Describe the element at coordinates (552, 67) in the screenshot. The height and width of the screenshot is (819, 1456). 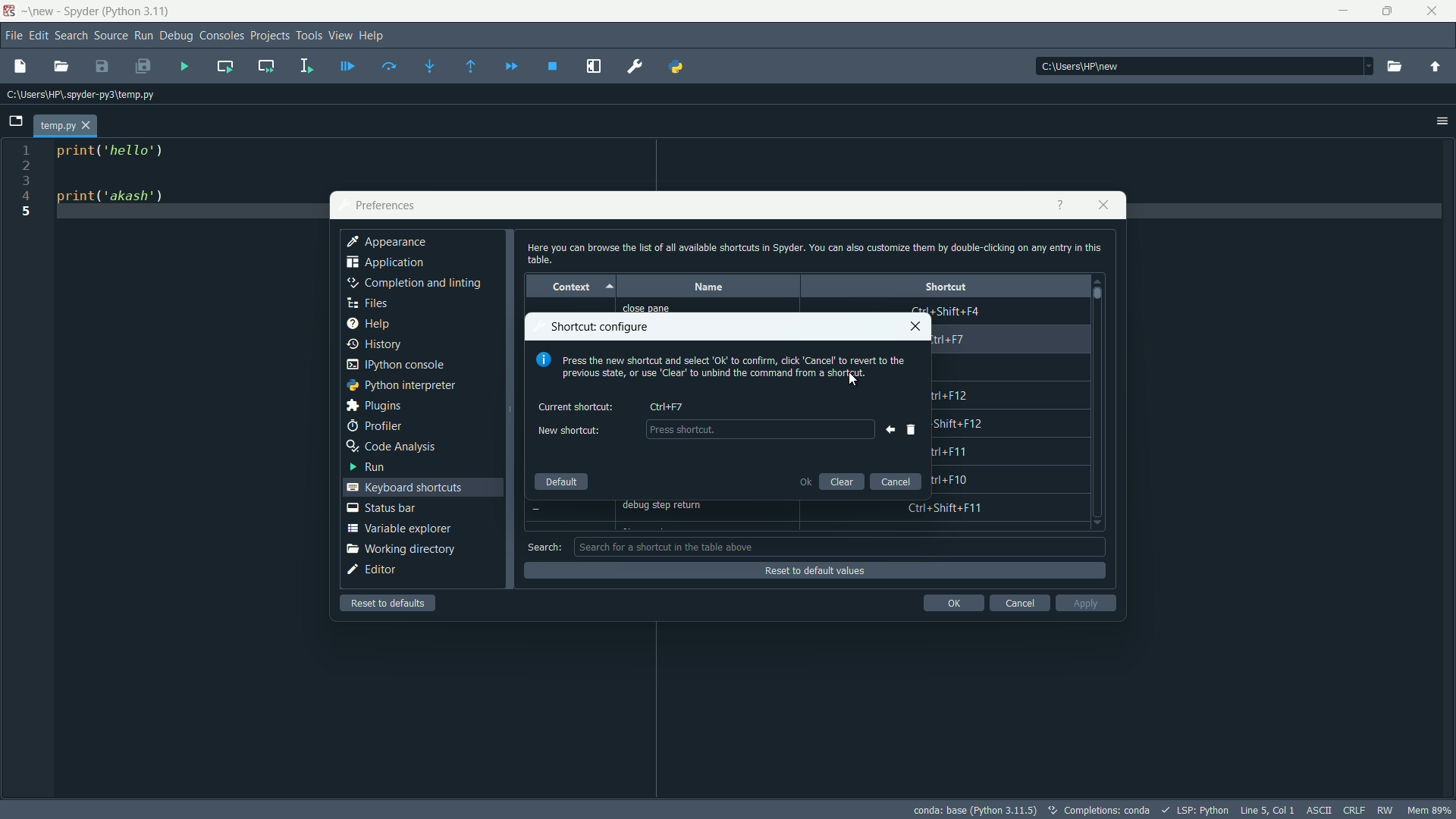
I see `stop debugging` at that location.